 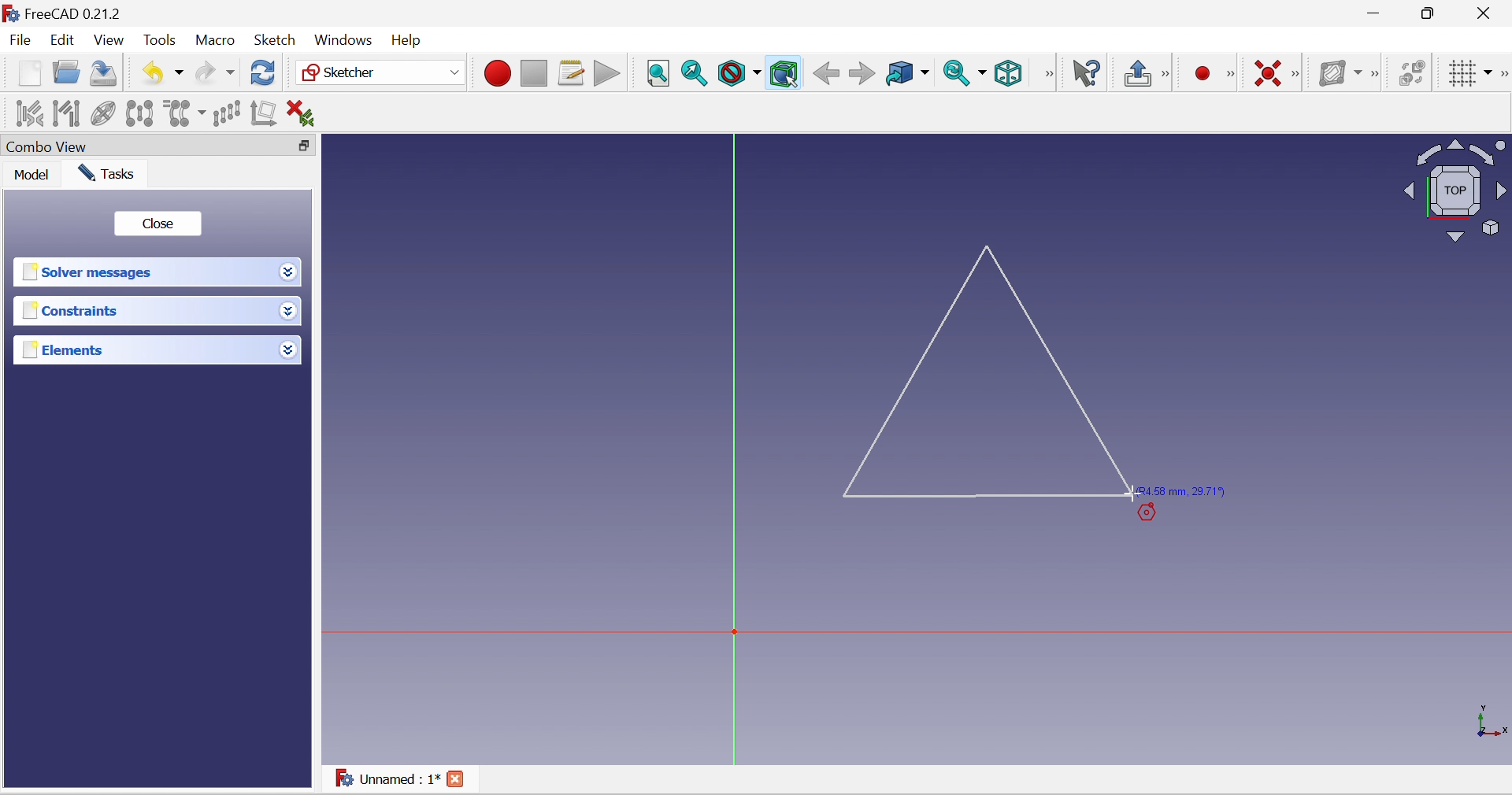 What do you see at coordinates (534, 72) in the screenshot?
I see `Stop macro recording` at bounding box center [534, 72].